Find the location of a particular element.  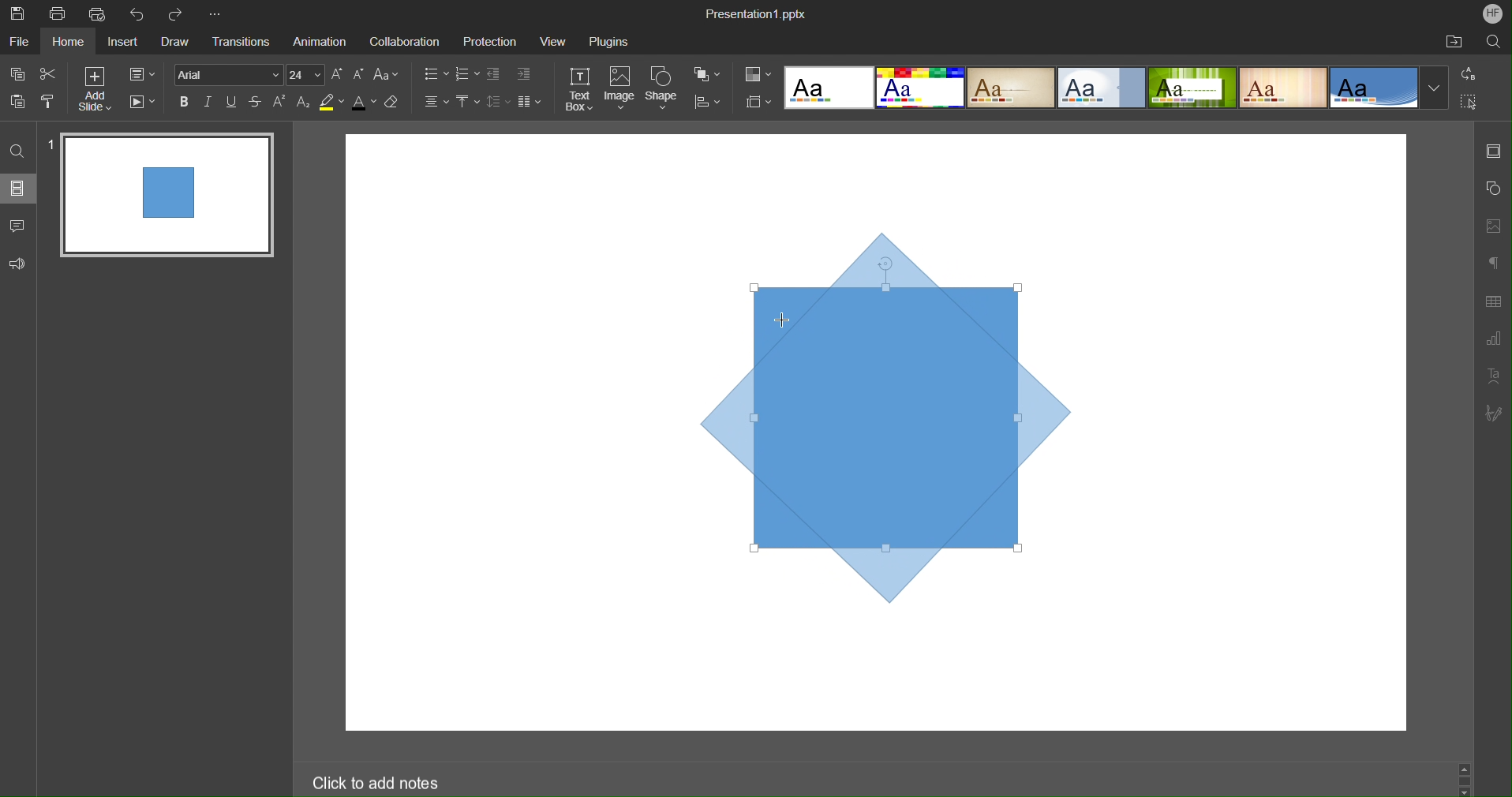

Image Settings is located at coordinates (1492, 226).